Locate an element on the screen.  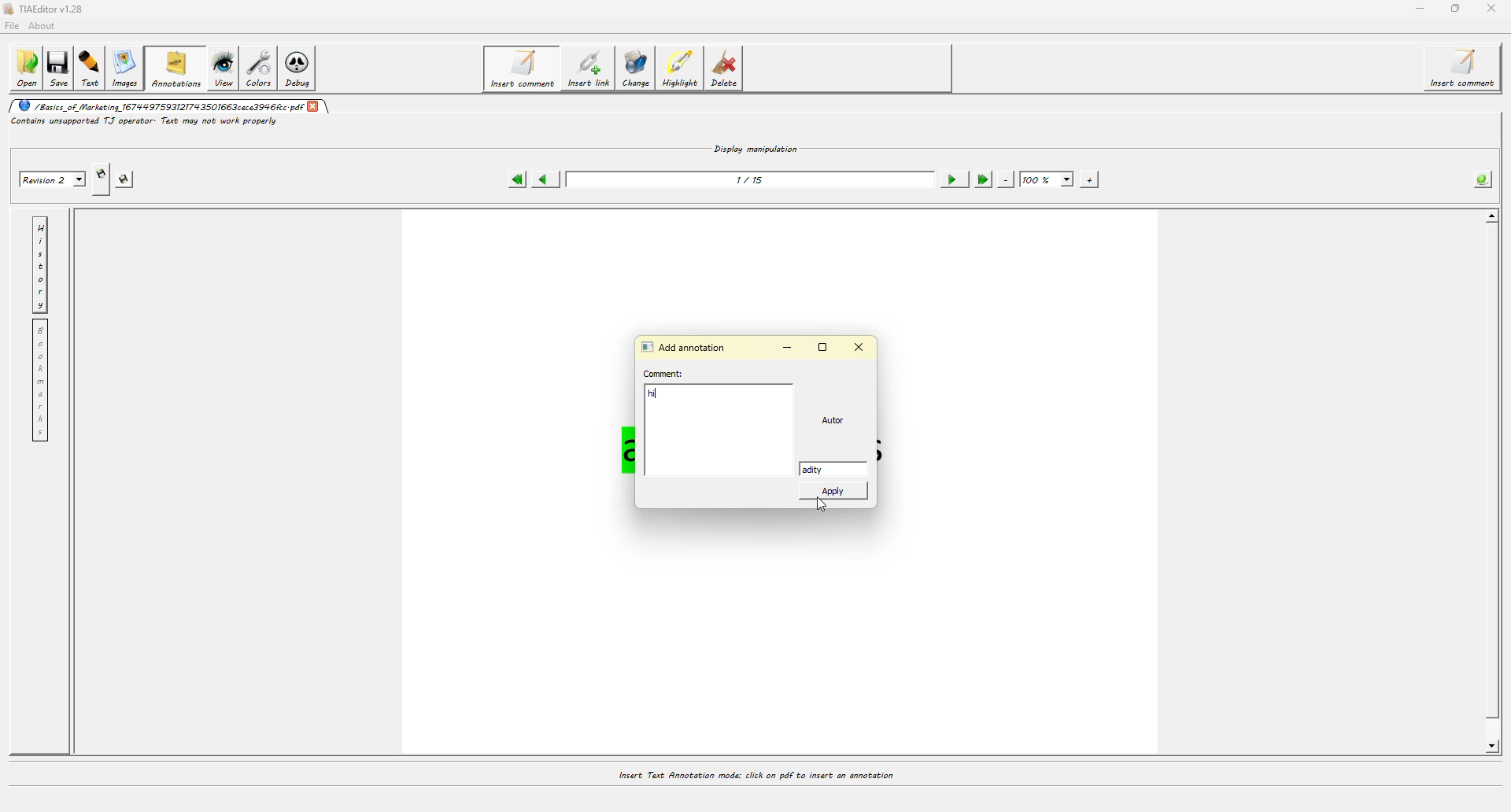
insert comment is located at coordinates (520, 68).